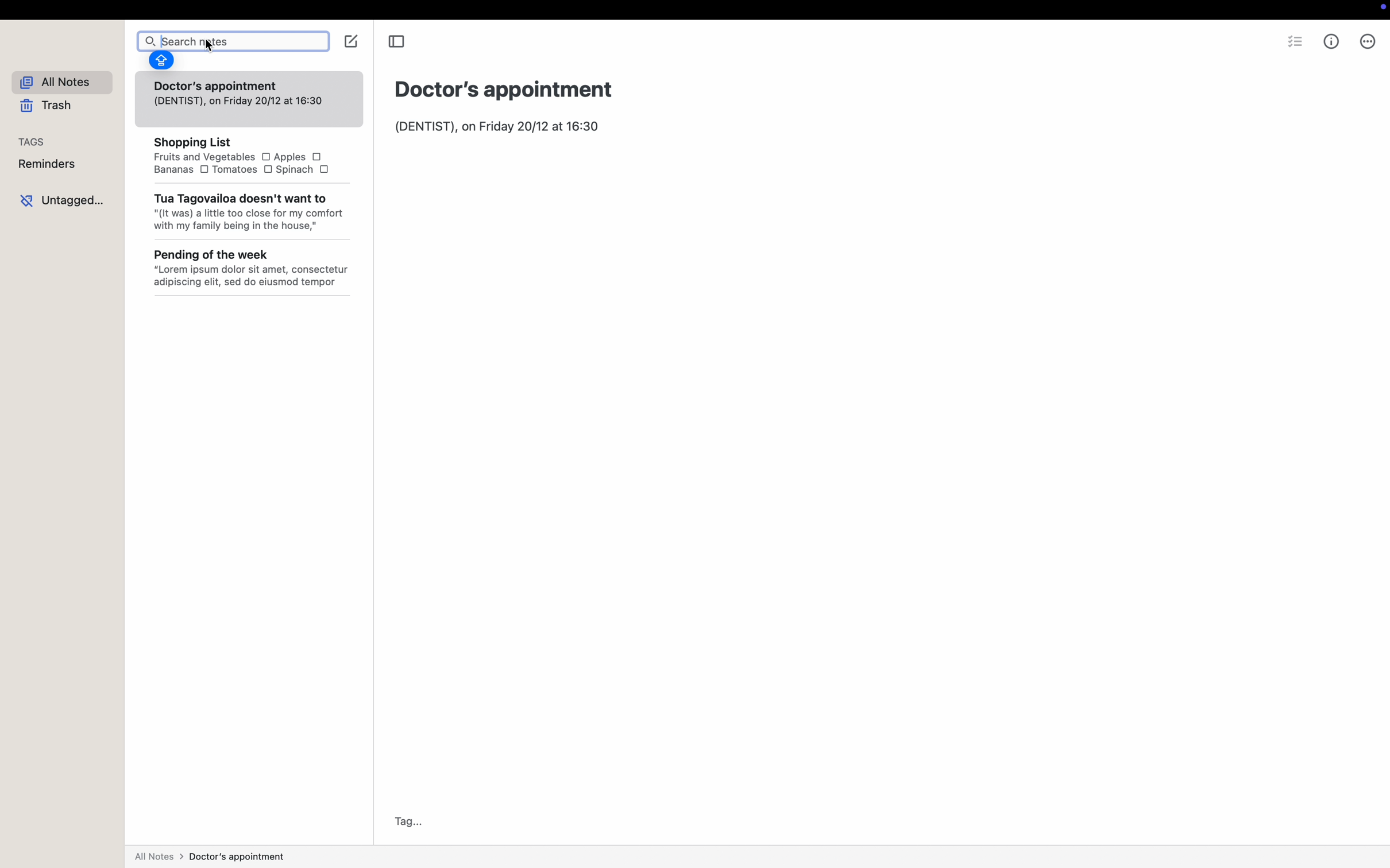 The width and height of the screenshot is (1390, 868). I want to click on check list, so click(1294, 40).